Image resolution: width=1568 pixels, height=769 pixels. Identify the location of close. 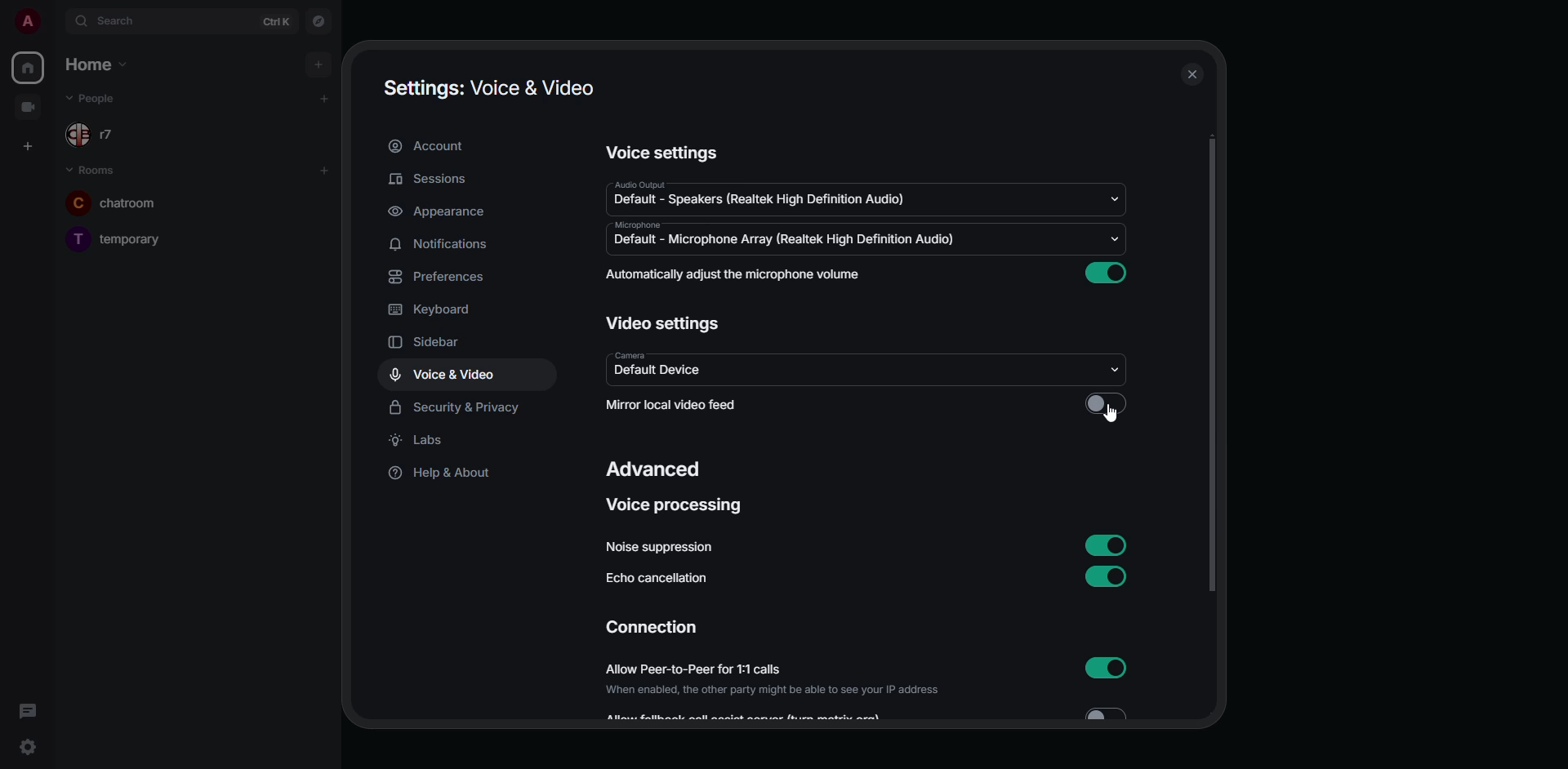
(1192, 77).